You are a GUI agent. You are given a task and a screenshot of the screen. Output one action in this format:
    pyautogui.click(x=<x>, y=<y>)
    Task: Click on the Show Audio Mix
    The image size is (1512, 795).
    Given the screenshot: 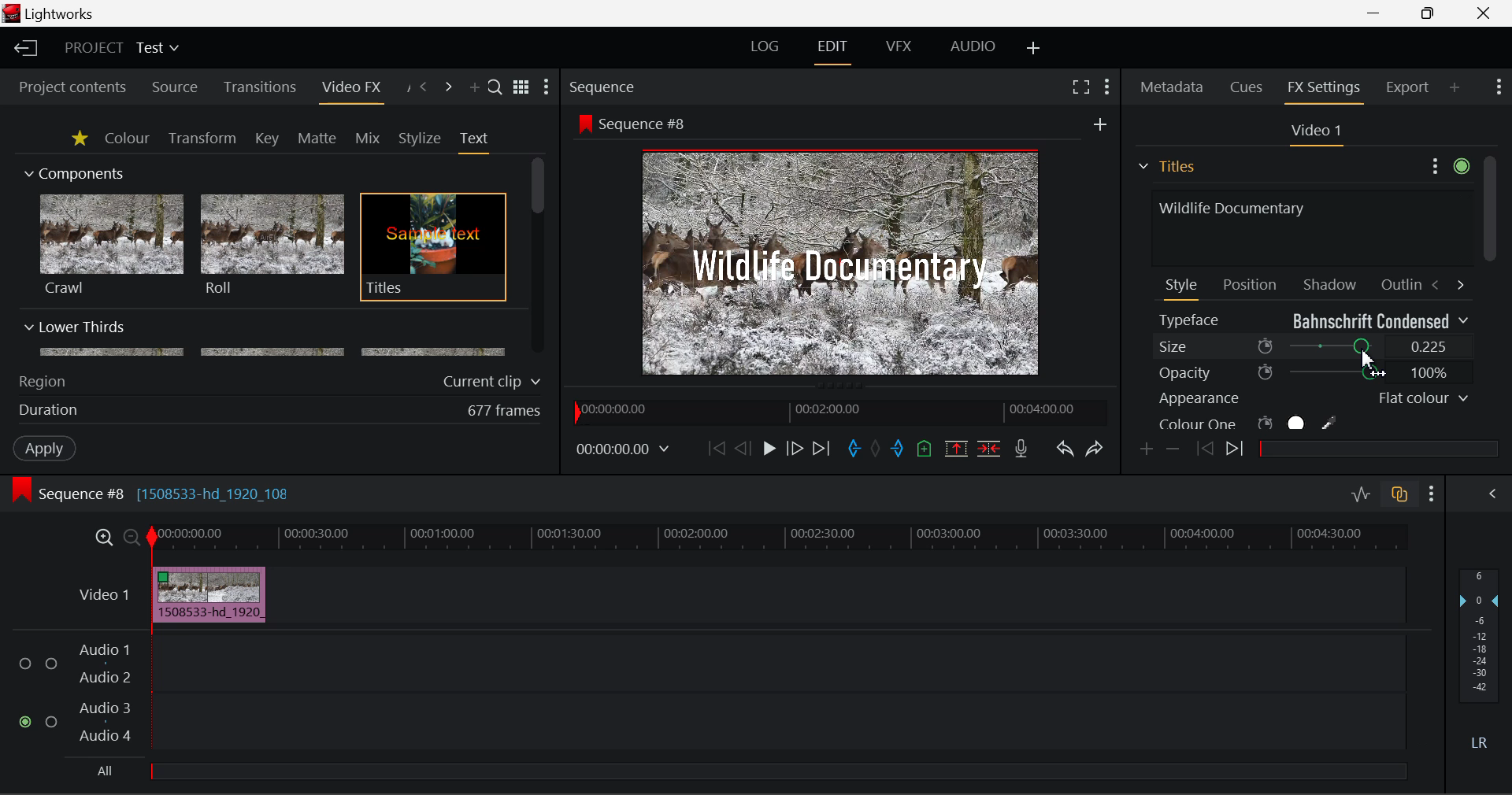 What is the action you would take?
    pyautogui.click(x=1490, y=494)
    